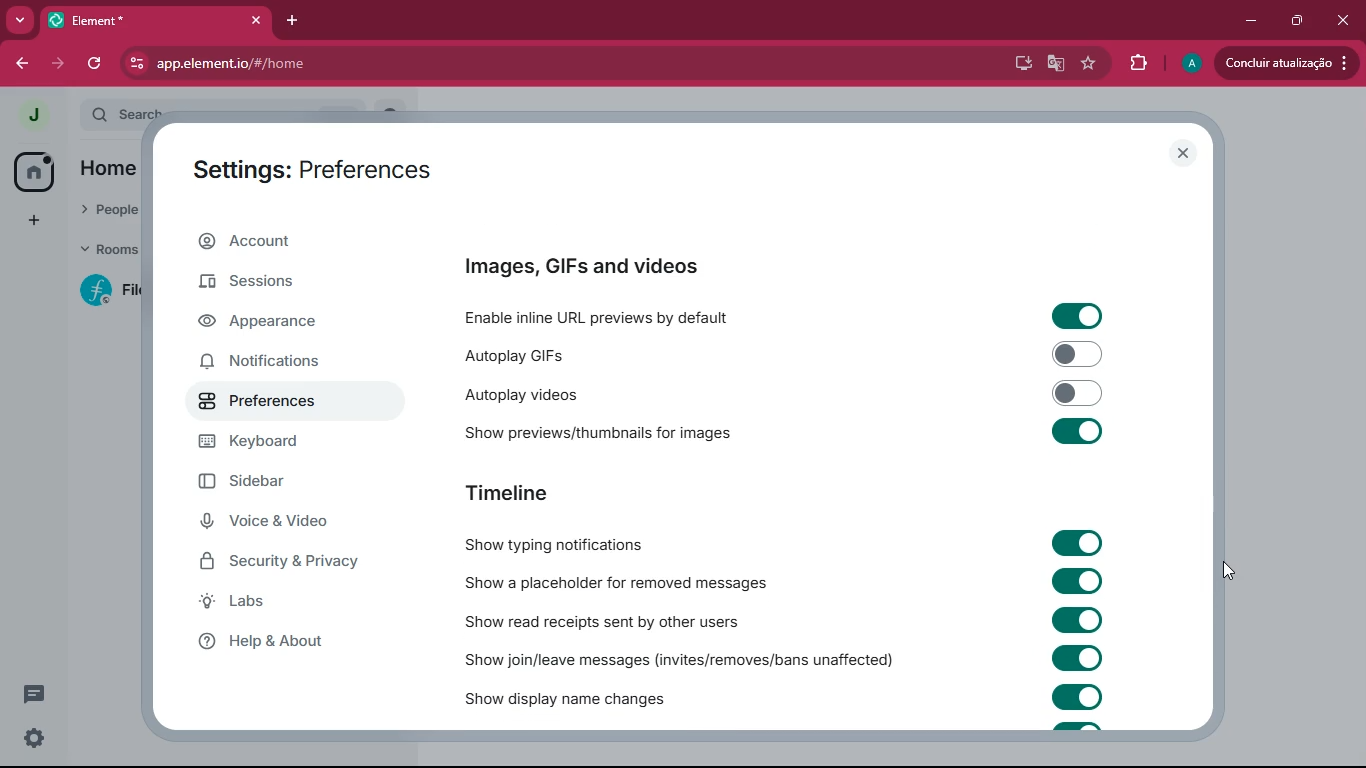 This screenshot has height=768, width=1366. Describe the element at coordinates (1078, 543) in the screenshot. I see `toggle on/off` at that location.